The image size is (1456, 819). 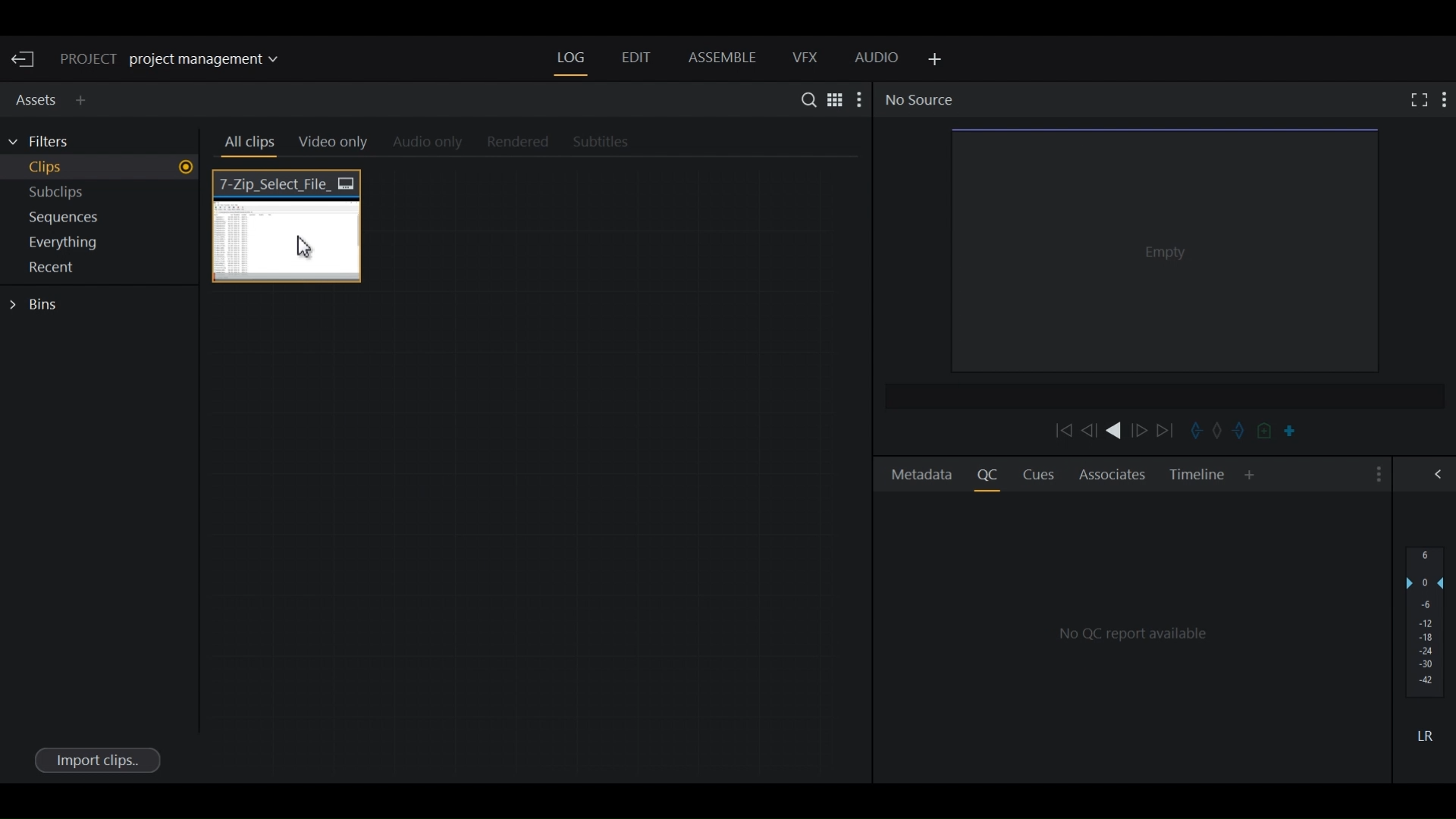 What do you see at coordinates (1113, 430) in the screenshot?
I see `Play` at bounding box center [1113, 430].